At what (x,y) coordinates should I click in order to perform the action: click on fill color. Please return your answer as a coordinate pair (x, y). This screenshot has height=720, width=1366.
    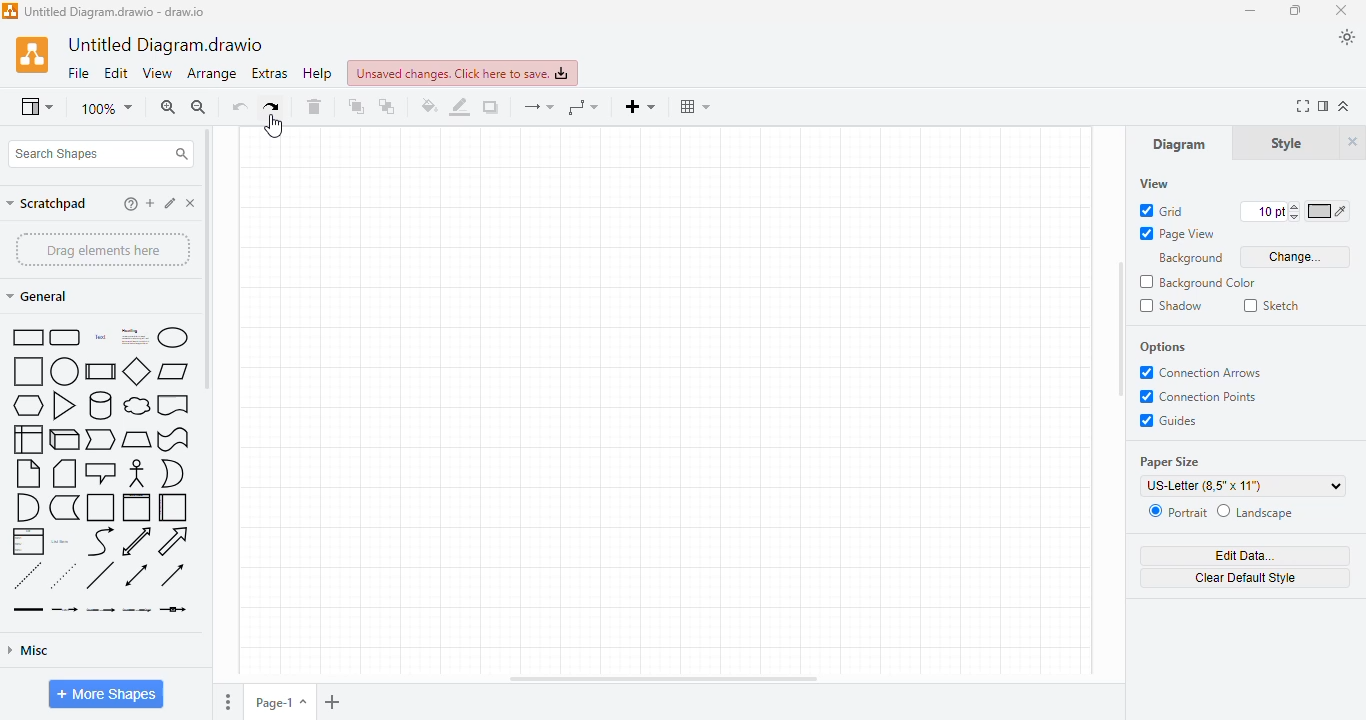
    Looking at the image, I should click on (429, 105).